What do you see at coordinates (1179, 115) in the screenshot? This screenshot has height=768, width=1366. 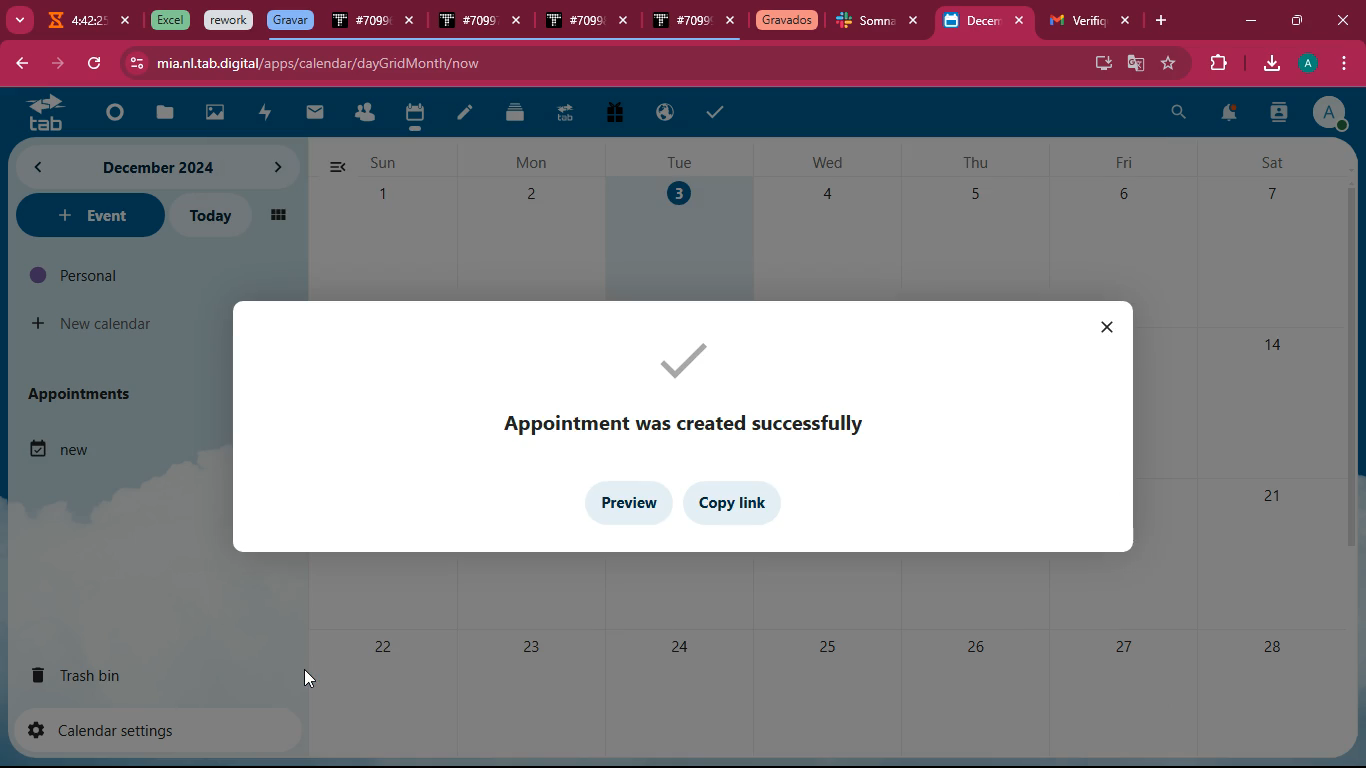 I see `search` at bounding box center [1179, 115].